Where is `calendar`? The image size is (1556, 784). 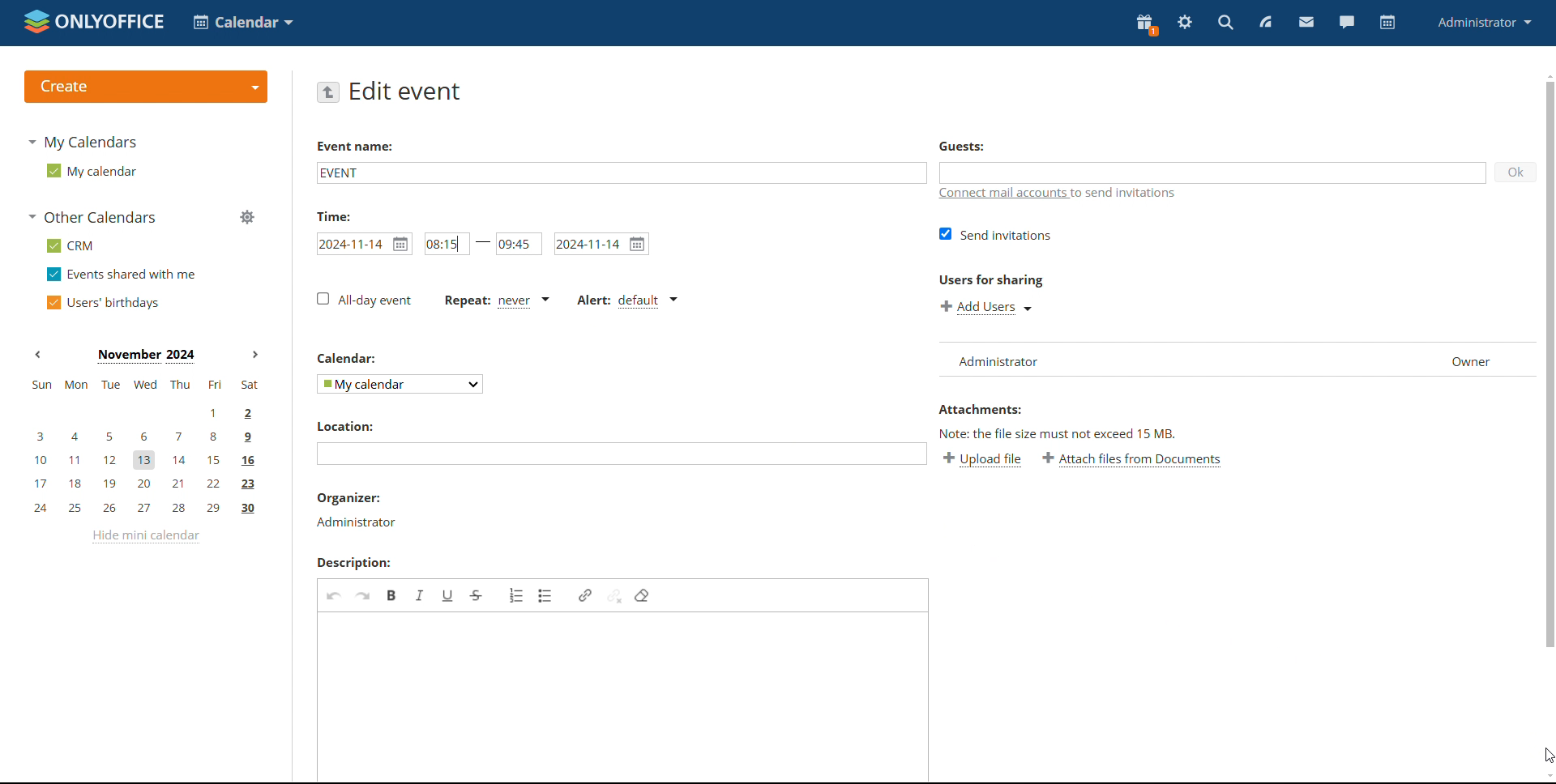
calendar is located at coordinates (345, 359).